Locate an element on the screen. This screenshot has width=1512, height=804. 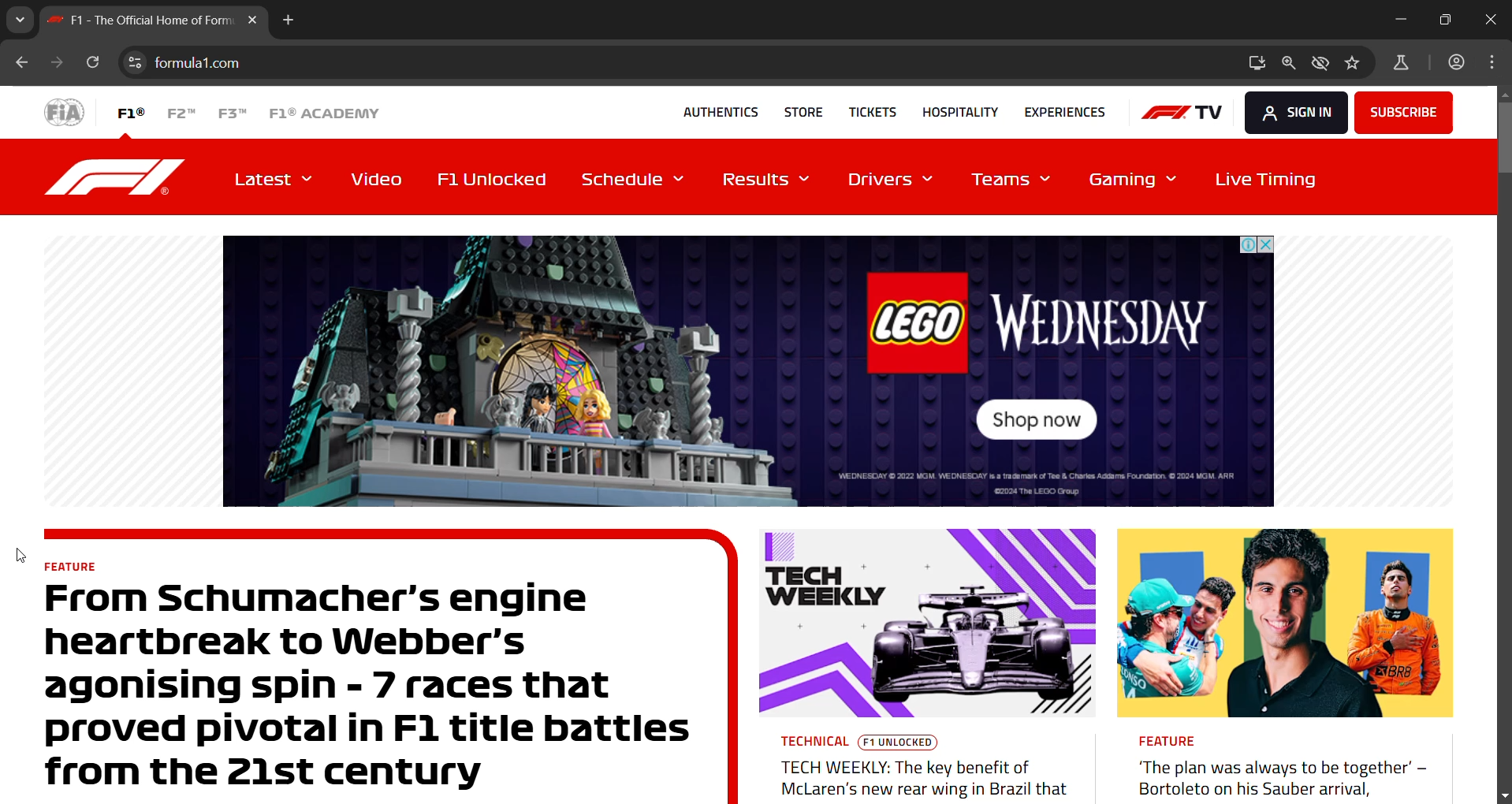
thrid party cookies limited is located at coordinates (1321, 65).